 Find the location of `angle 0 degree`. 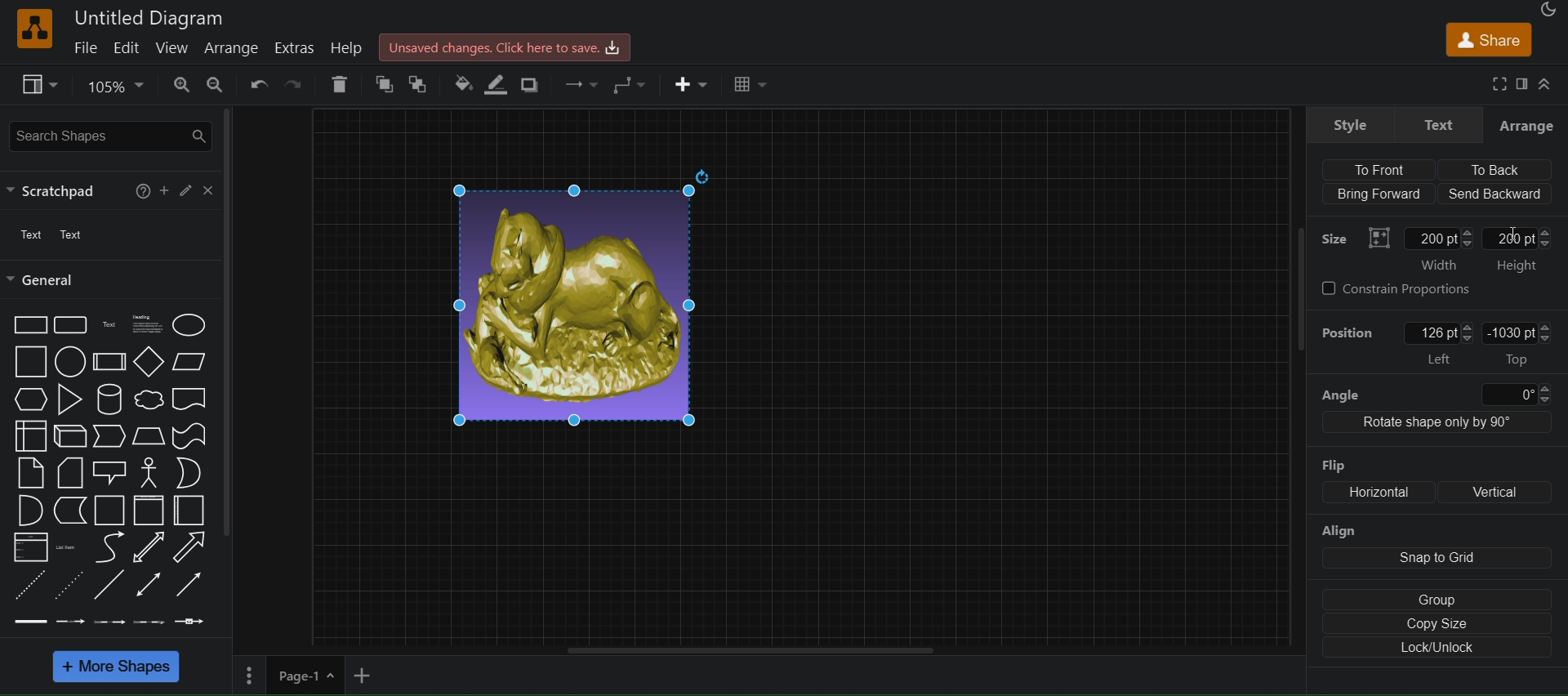

angle 0 degree is located at coordinates (1434, 392).